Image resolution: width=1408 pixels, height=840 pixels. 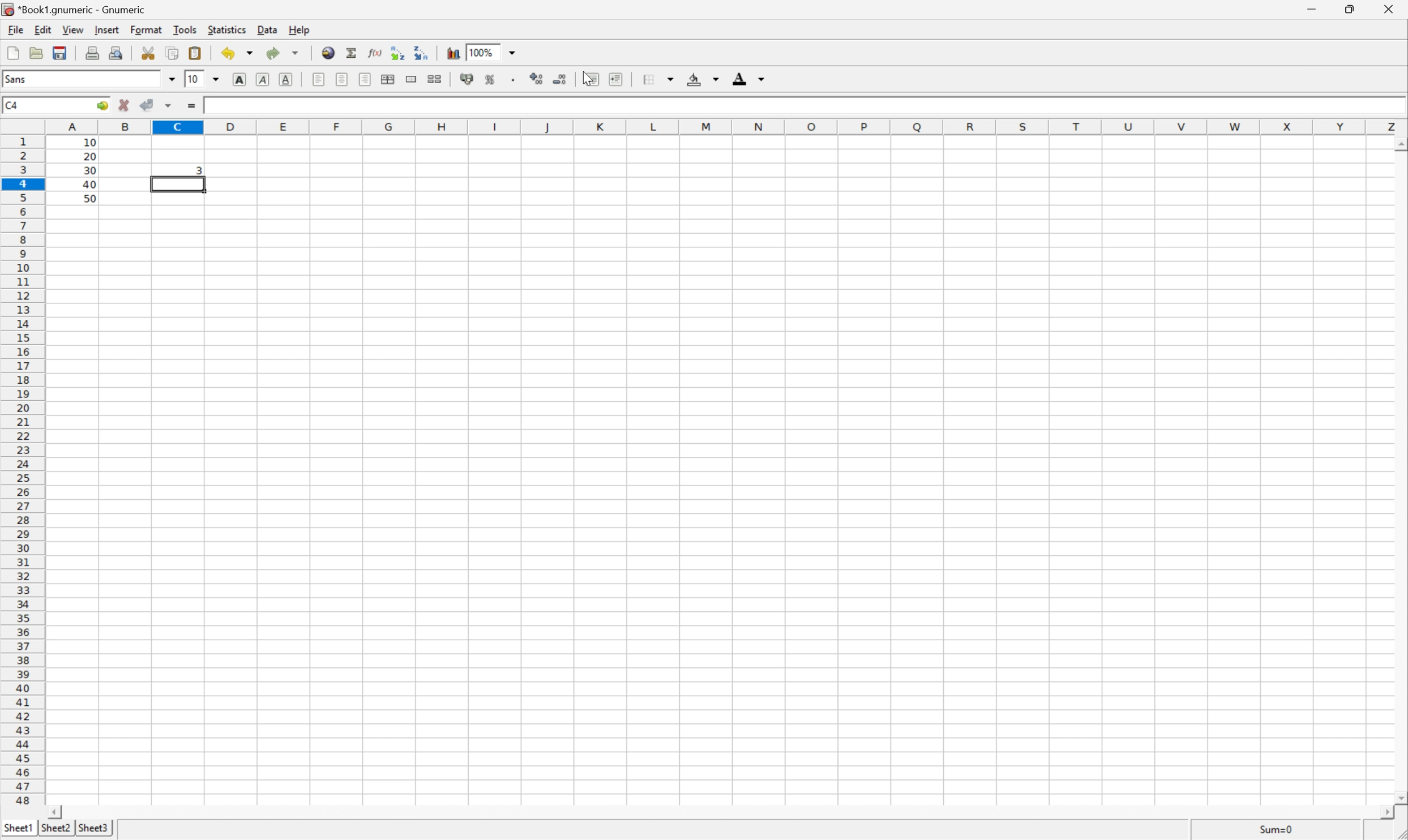 What do you see at coordinates (227, 29) in the screenshot?
I see `Statistics` at bounding box center [227, 29].